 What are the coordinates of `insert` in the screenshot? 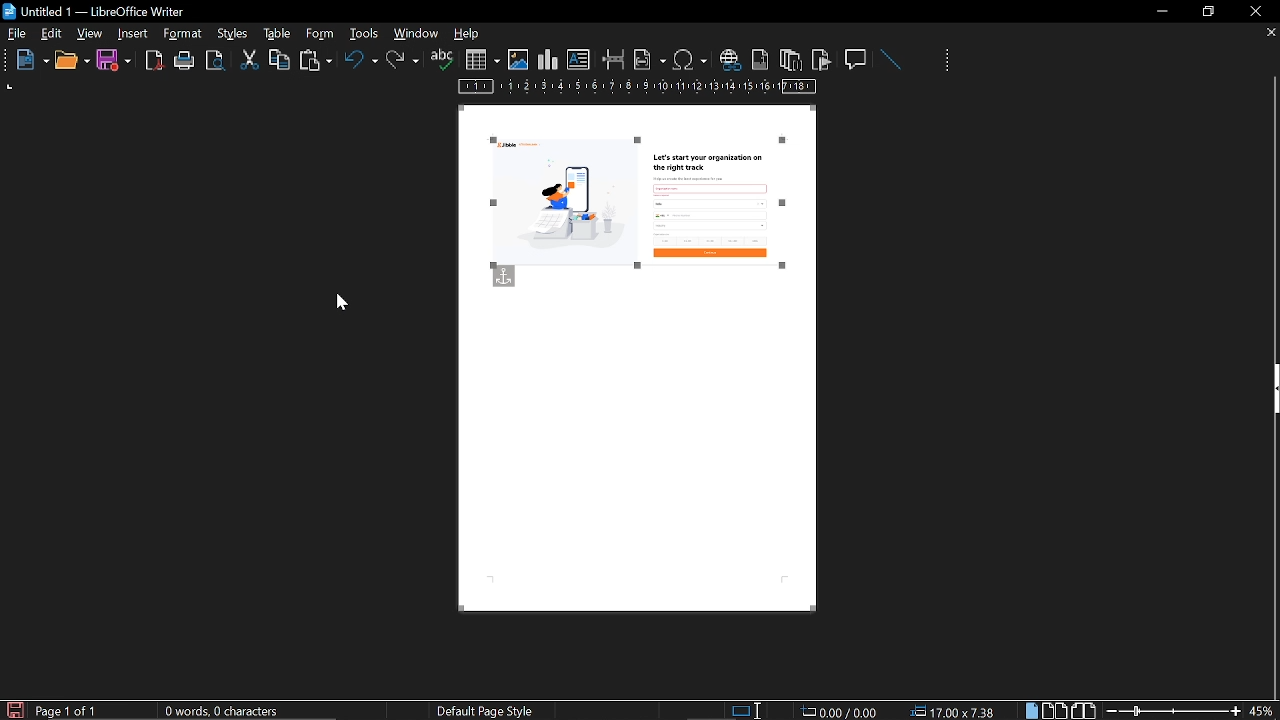 It's located at (134, 34).